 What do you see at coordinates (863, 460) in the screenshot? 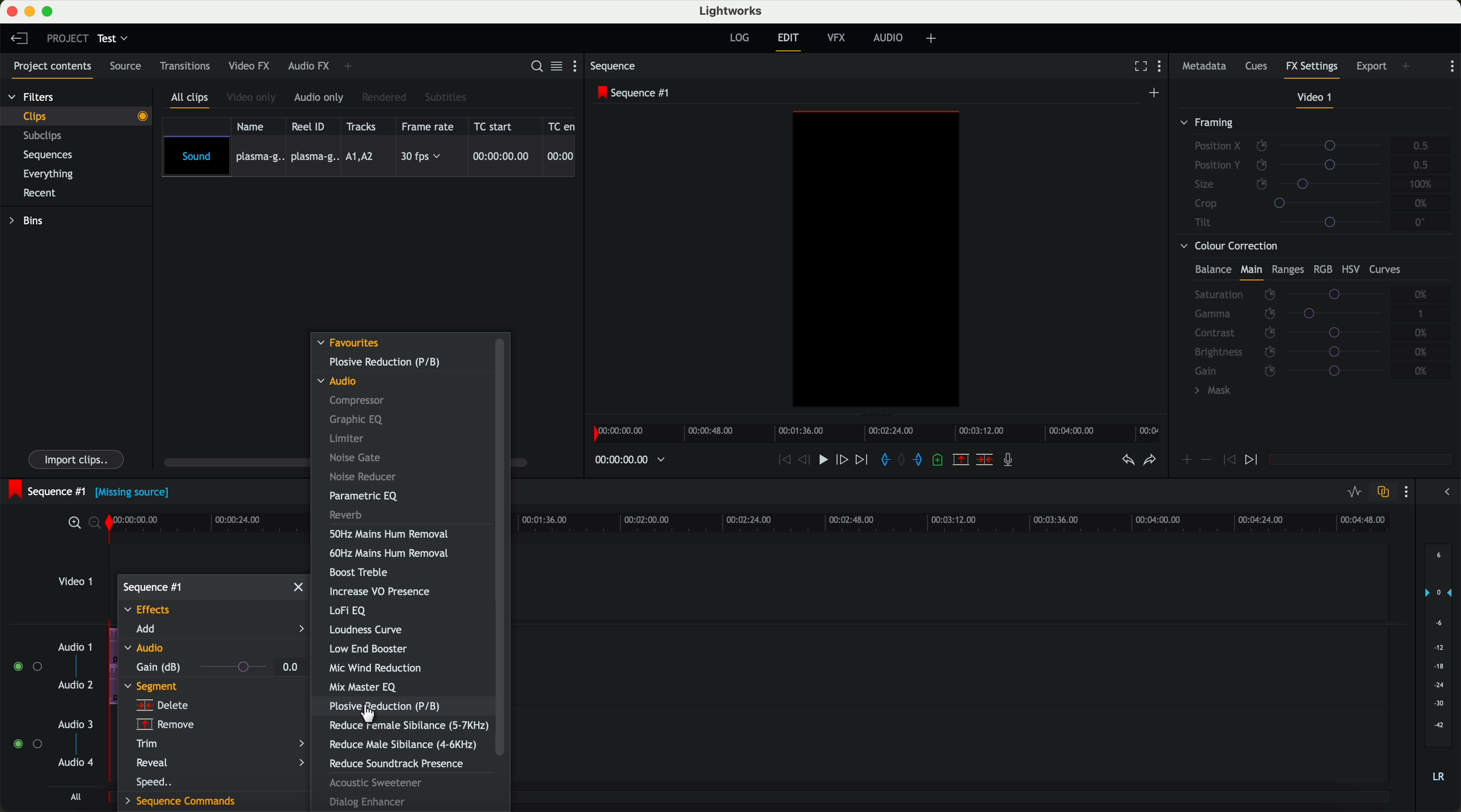
I see `move foward` at bounding box center [863, 460].